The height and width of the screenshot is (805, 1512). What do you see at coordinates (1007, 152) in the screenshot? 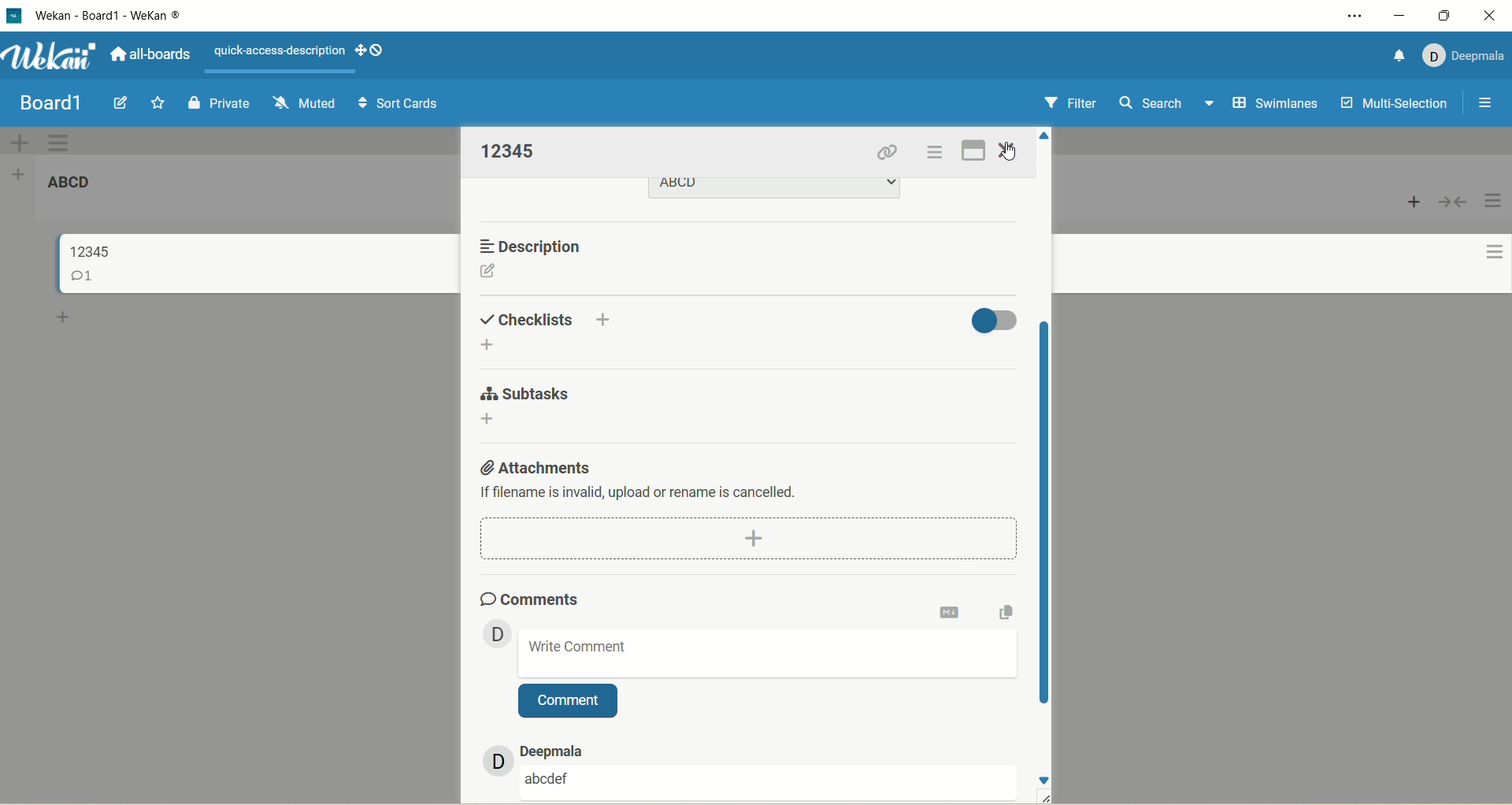
I see `cursor` at bounding box center [1007, 152].